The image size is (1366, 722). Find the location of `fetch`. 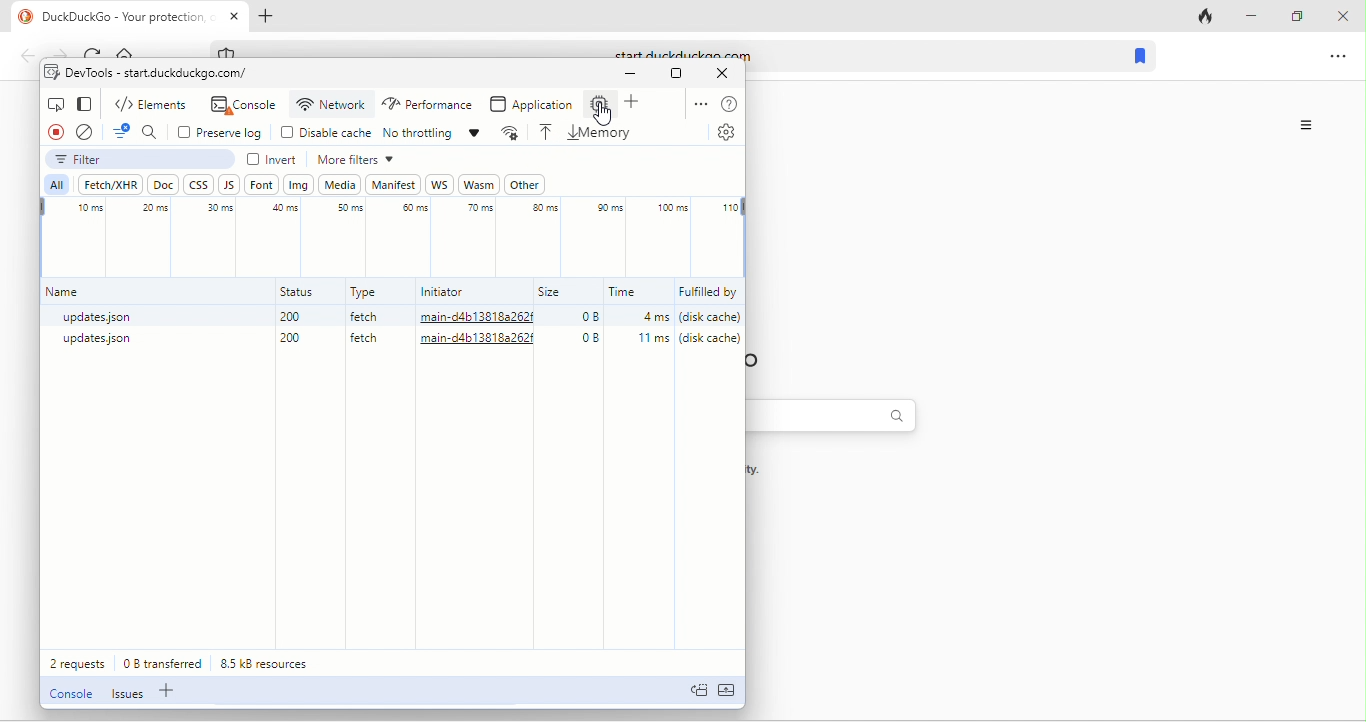

fetch is located at coordinates (374, 343).